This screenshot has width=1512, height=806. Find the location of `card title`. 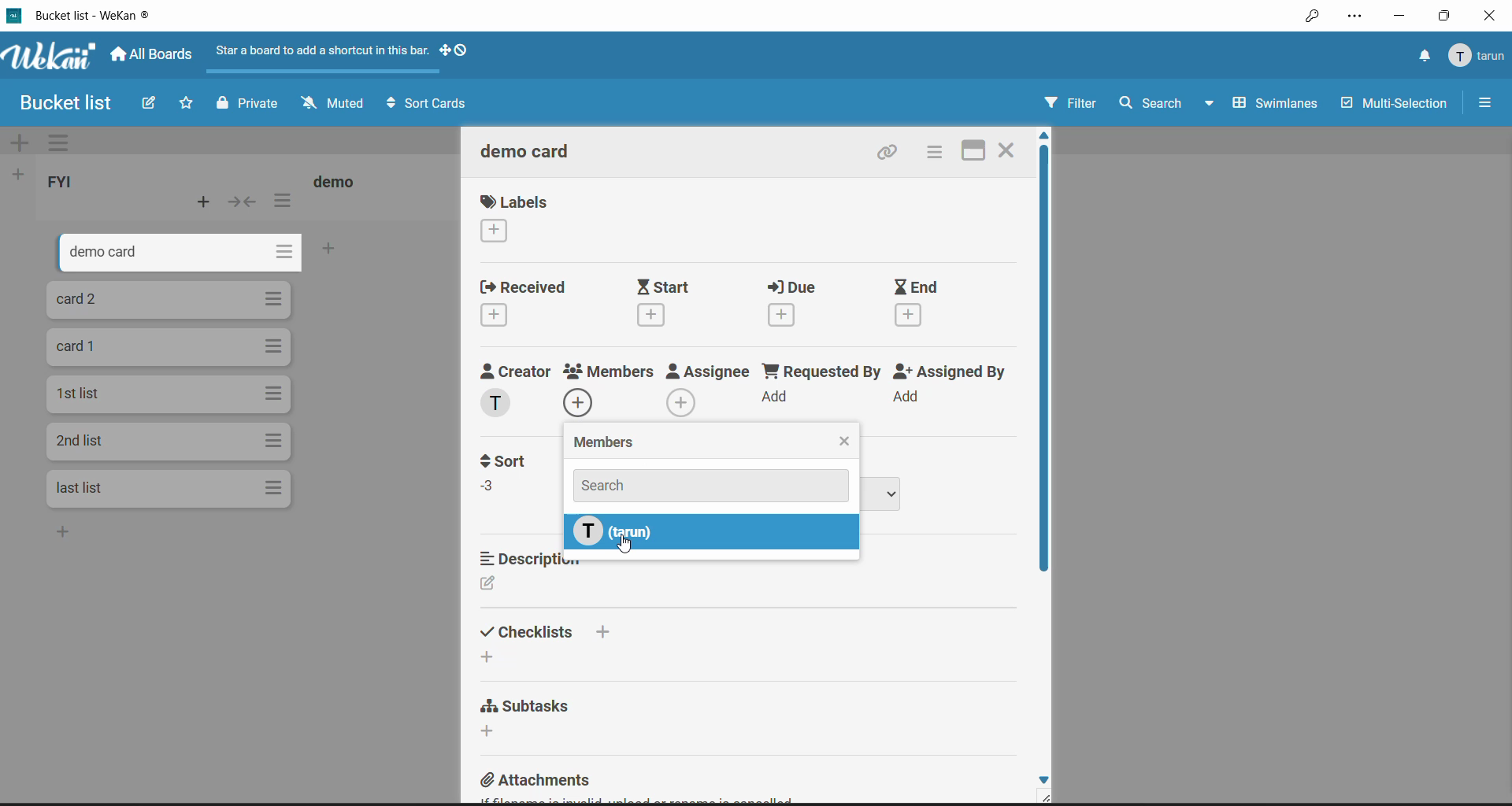

card title is located at coordinates (528, 152).